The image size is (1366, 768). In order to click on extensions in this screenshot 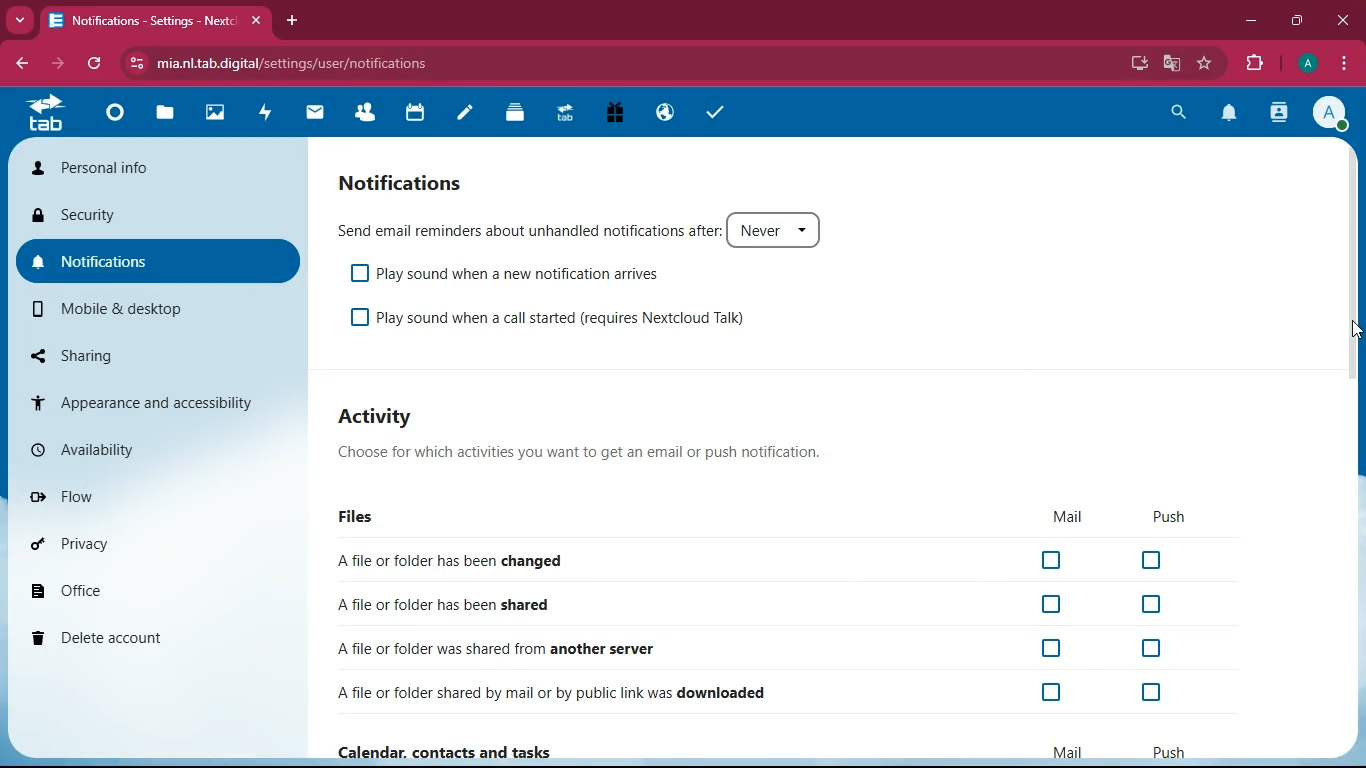, I will do `click(1250, 61)`.